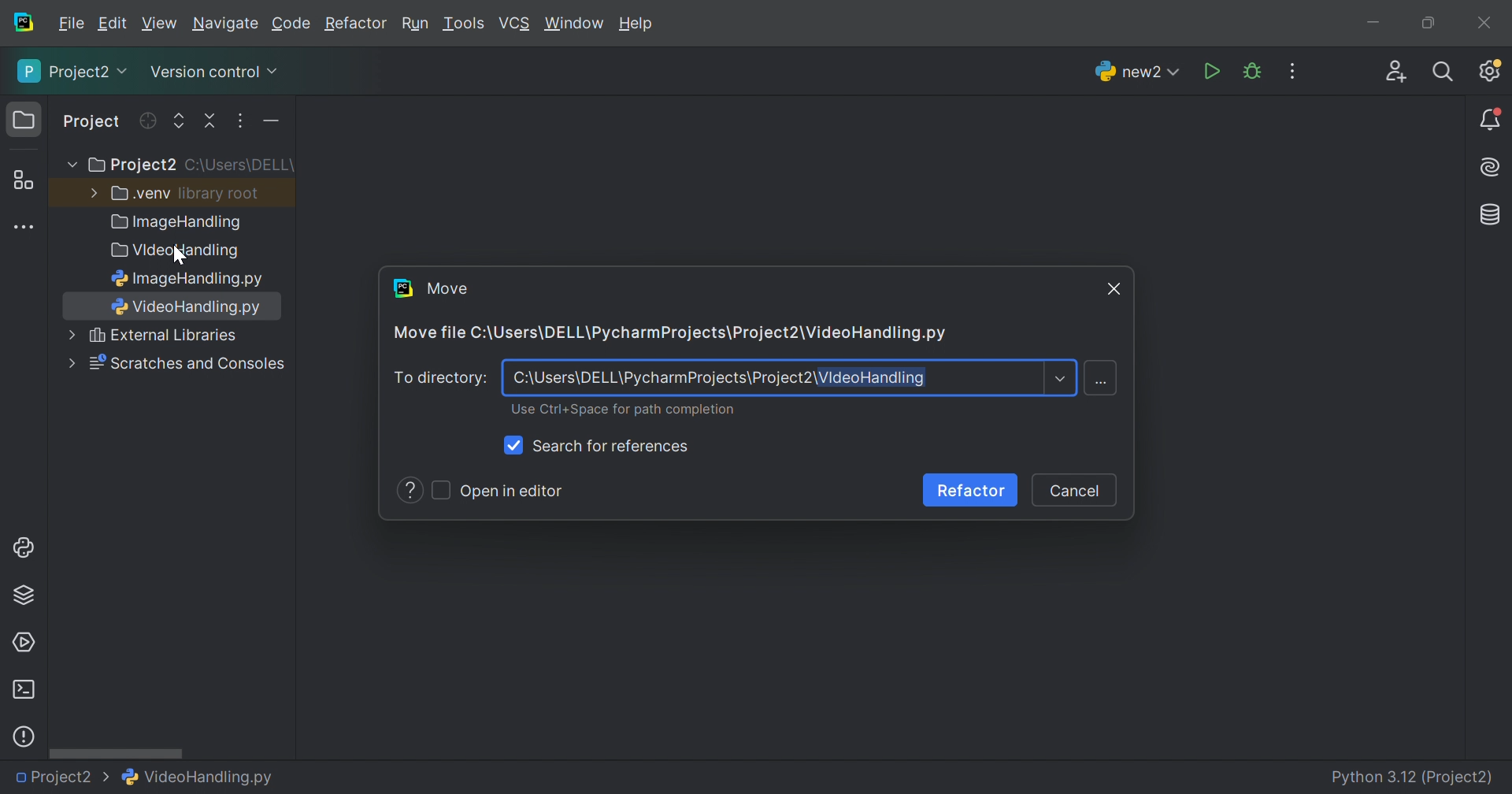  What do you see at coordinates (516, 445) in the screenshot?
I see `Checkbox` at bounding box center [516, 445].